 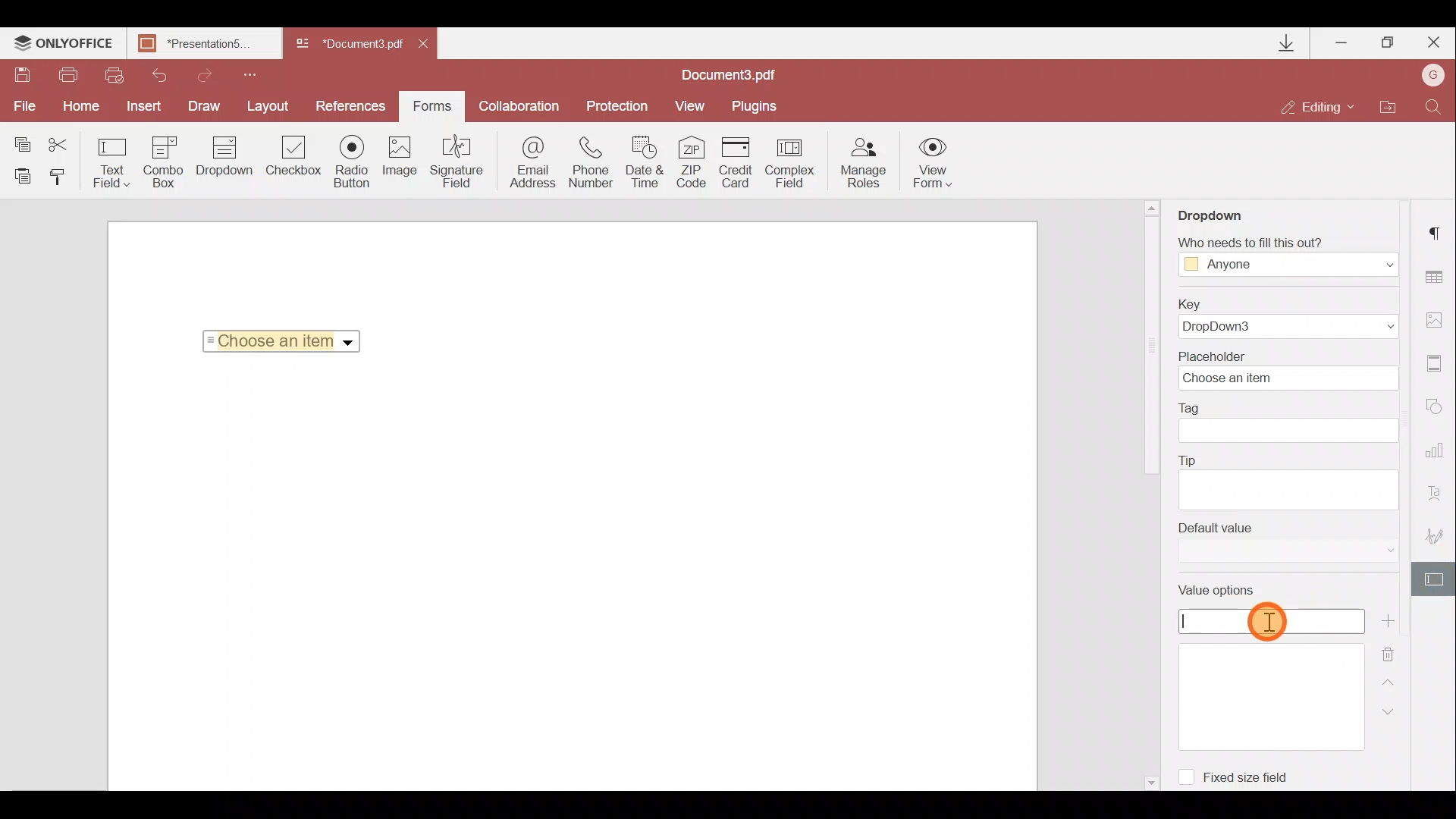 I want to click on Value options, so click(x=1266, y=667).